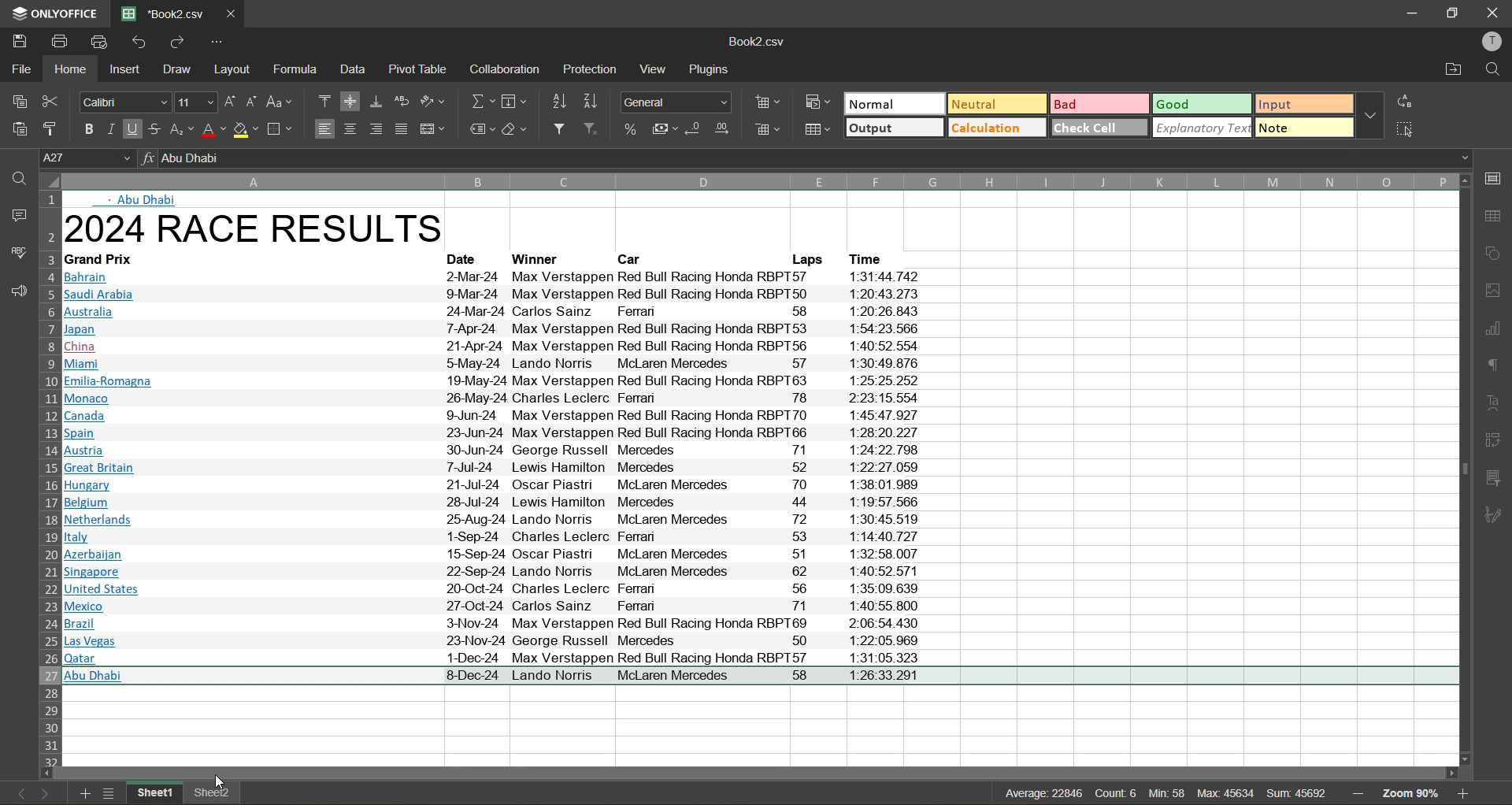 The image size is (1512, 805). What do you see at coordinates (1204, 128) in the screenshot?
I see `explanatory text` at bounding box center [1204, 128].